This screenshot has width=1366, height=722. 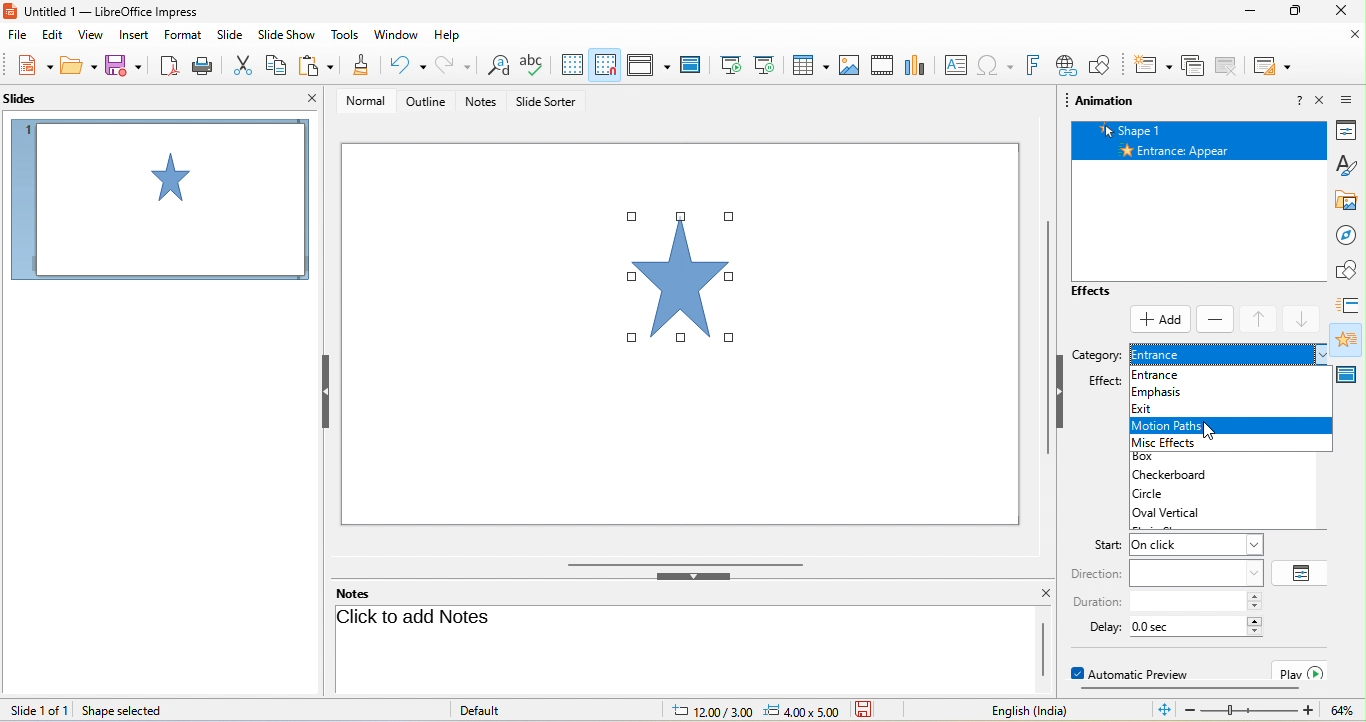 What do you see at coordinates (1255, 608) in the screenshot?
I see `decrease duration` at bounding box center [1255, 608].